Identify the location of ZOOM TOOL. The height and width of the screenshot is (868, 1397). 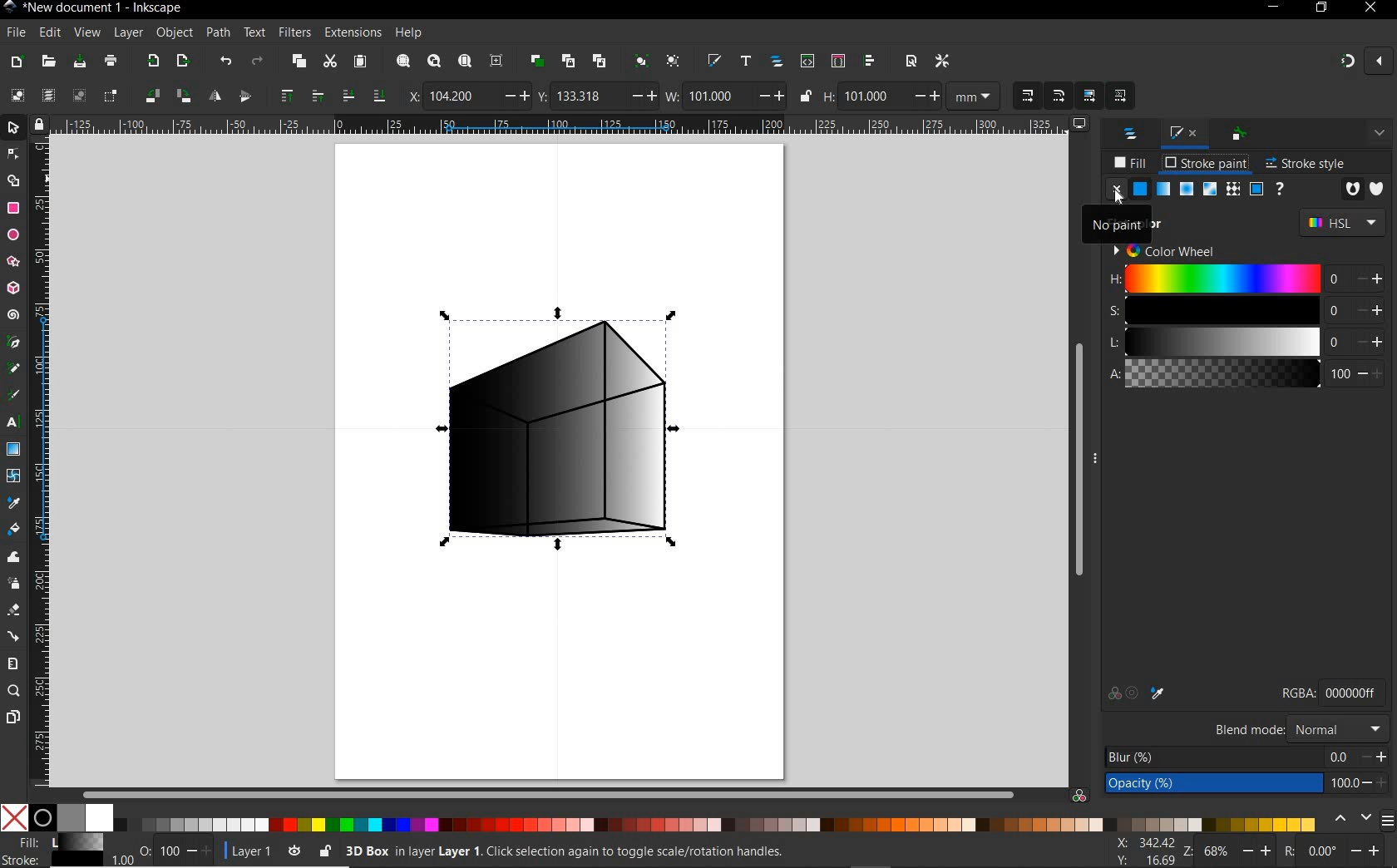
(15, 690).